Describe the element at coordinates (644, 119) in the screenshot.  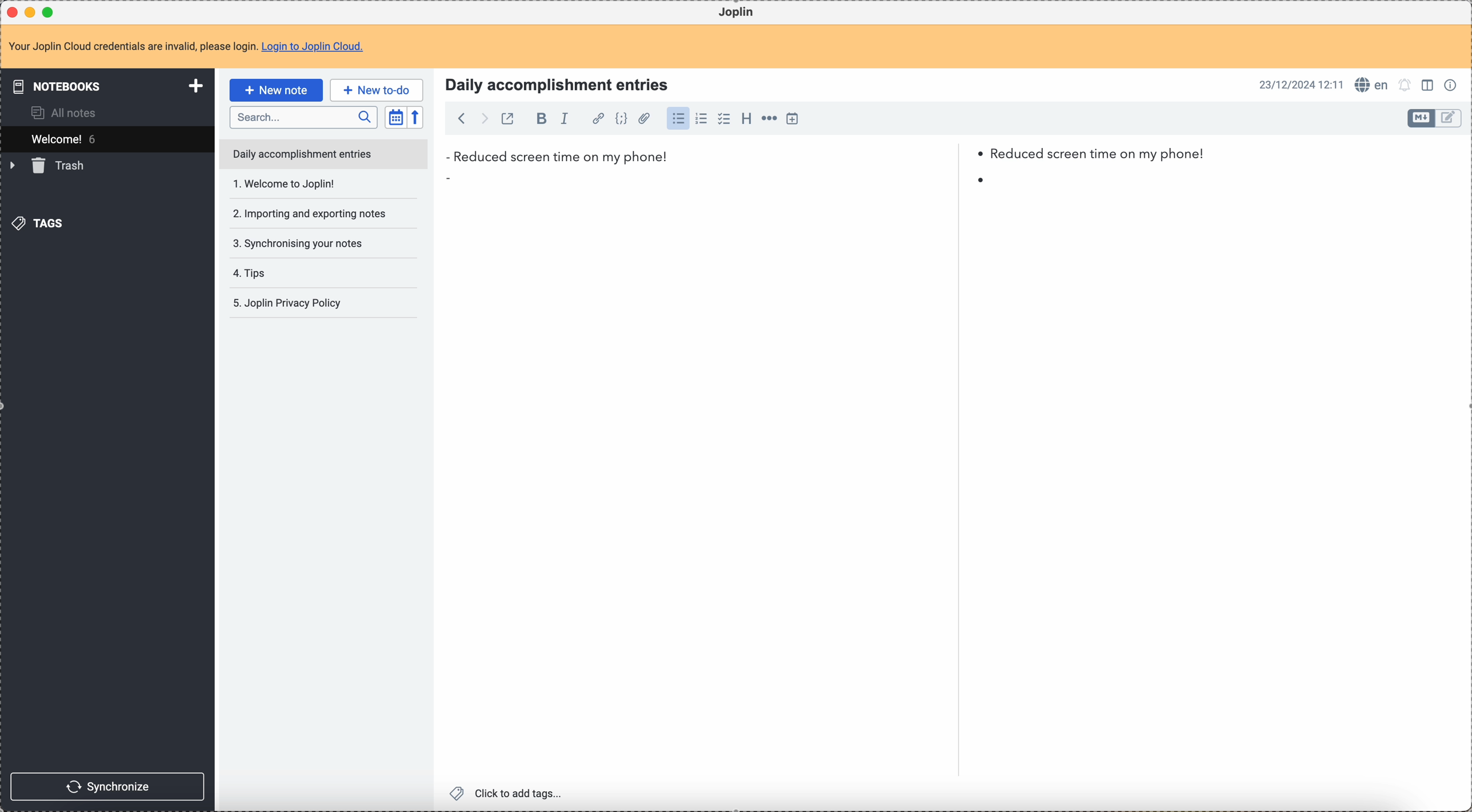
I see `attach file` at that location.